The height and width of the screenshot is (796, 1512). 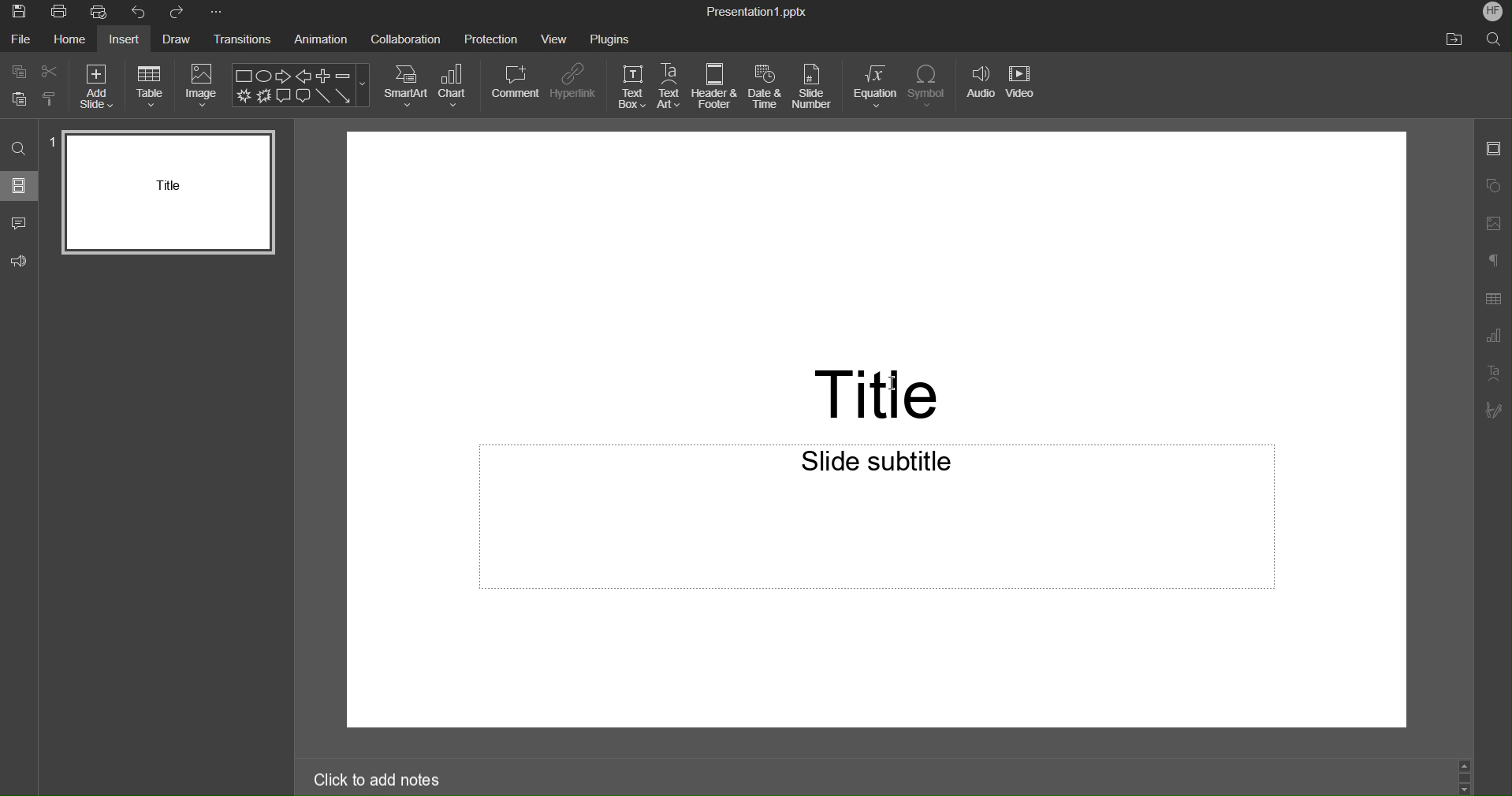 What do you see at coordinates (713, 87) in the screenshot?
I see `Header & Footer` at bounding box center [713, 87].